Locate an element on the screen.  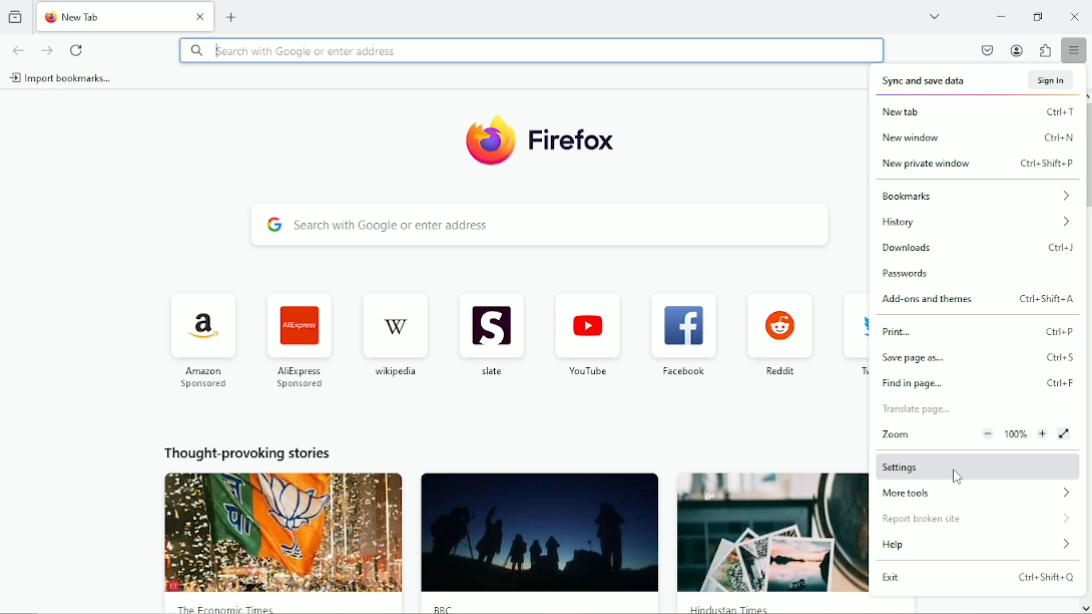
image is located at coordinates (773, 533).